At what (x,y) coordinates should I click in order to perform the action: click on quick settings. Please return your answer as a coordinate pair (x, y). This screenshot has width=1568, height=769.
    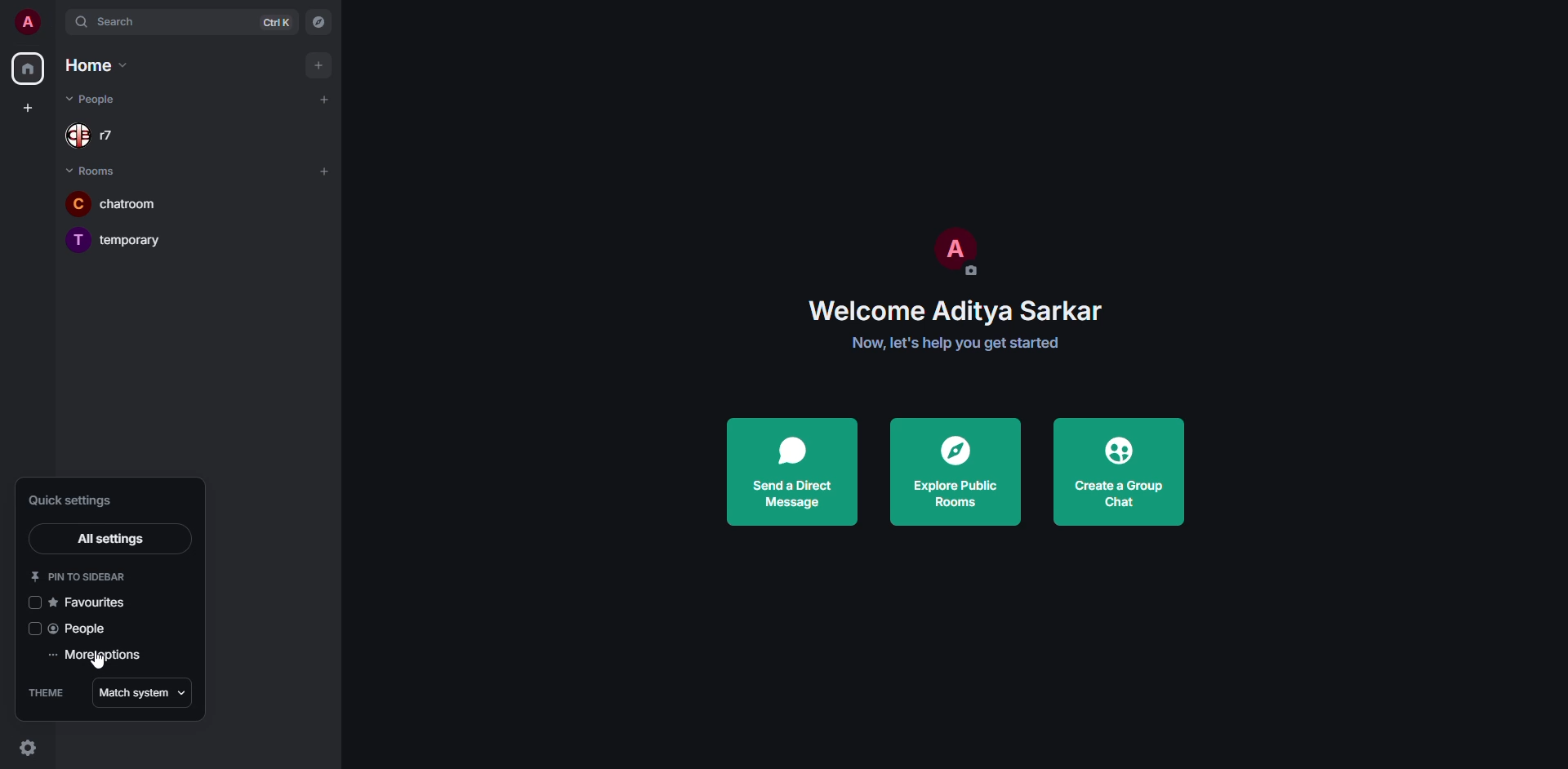
    Looking at the image, I should click on (27, 749).